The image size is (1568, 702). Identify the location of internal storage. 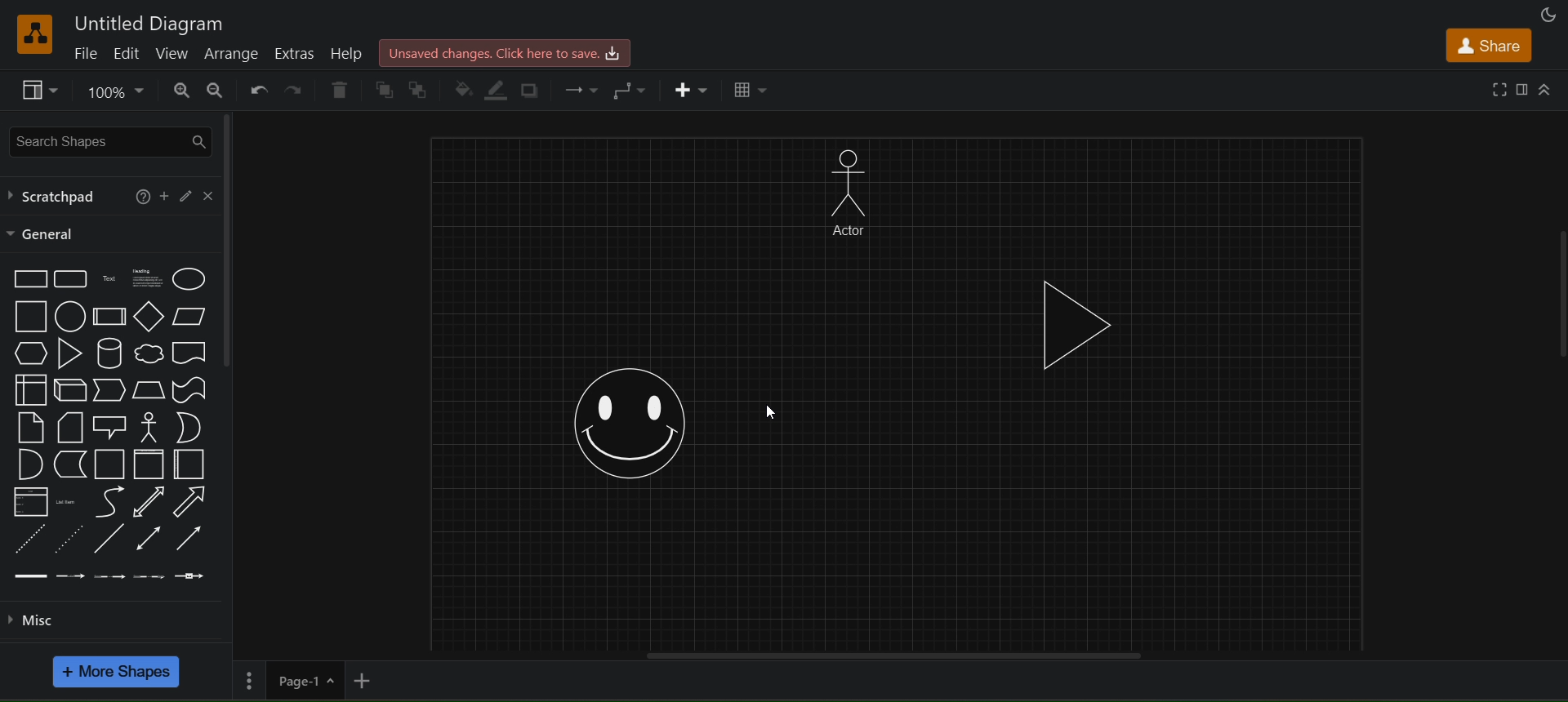
(26, 389).